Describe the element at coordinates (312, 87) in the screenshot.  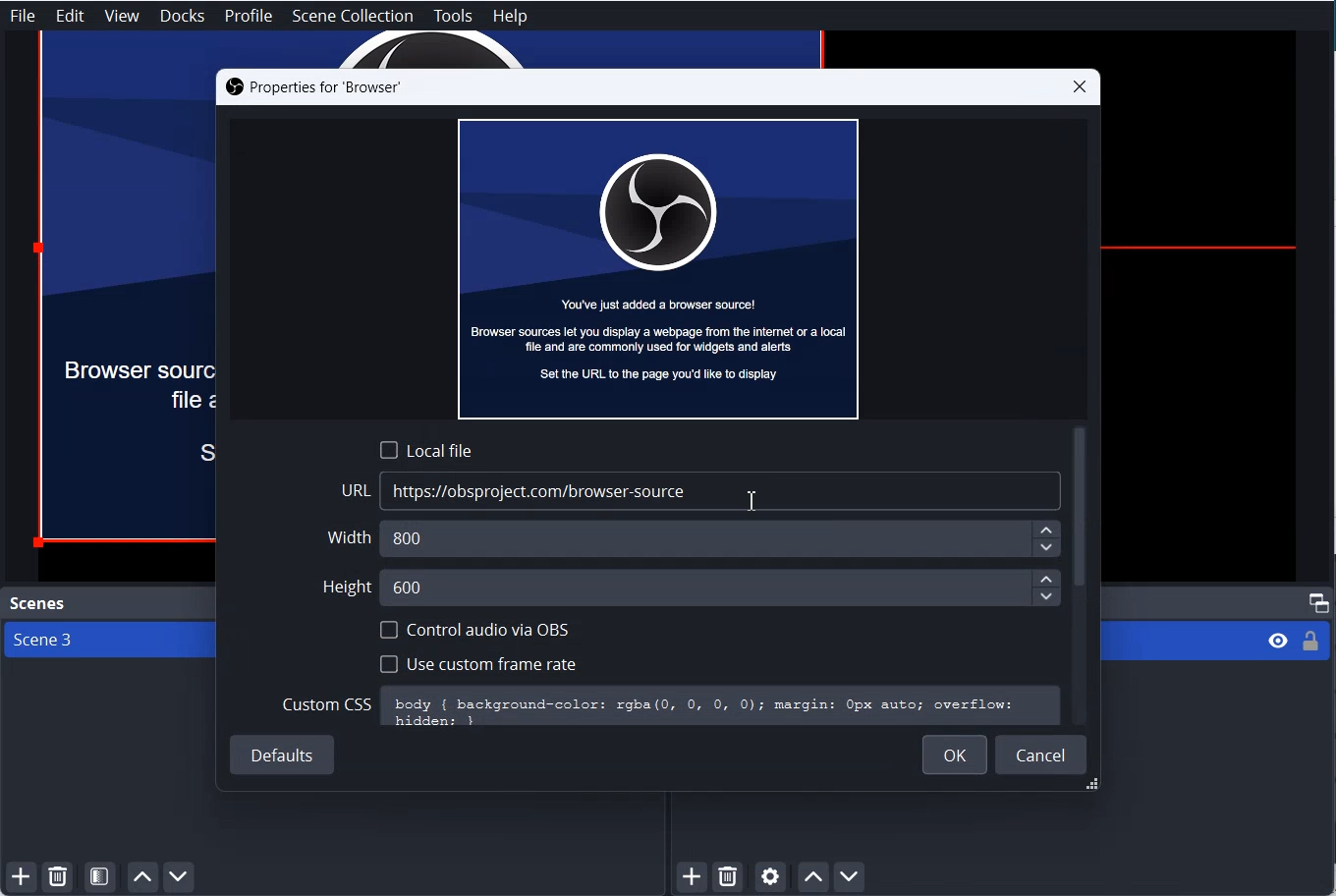
I see `Properties of Browser` at that location.